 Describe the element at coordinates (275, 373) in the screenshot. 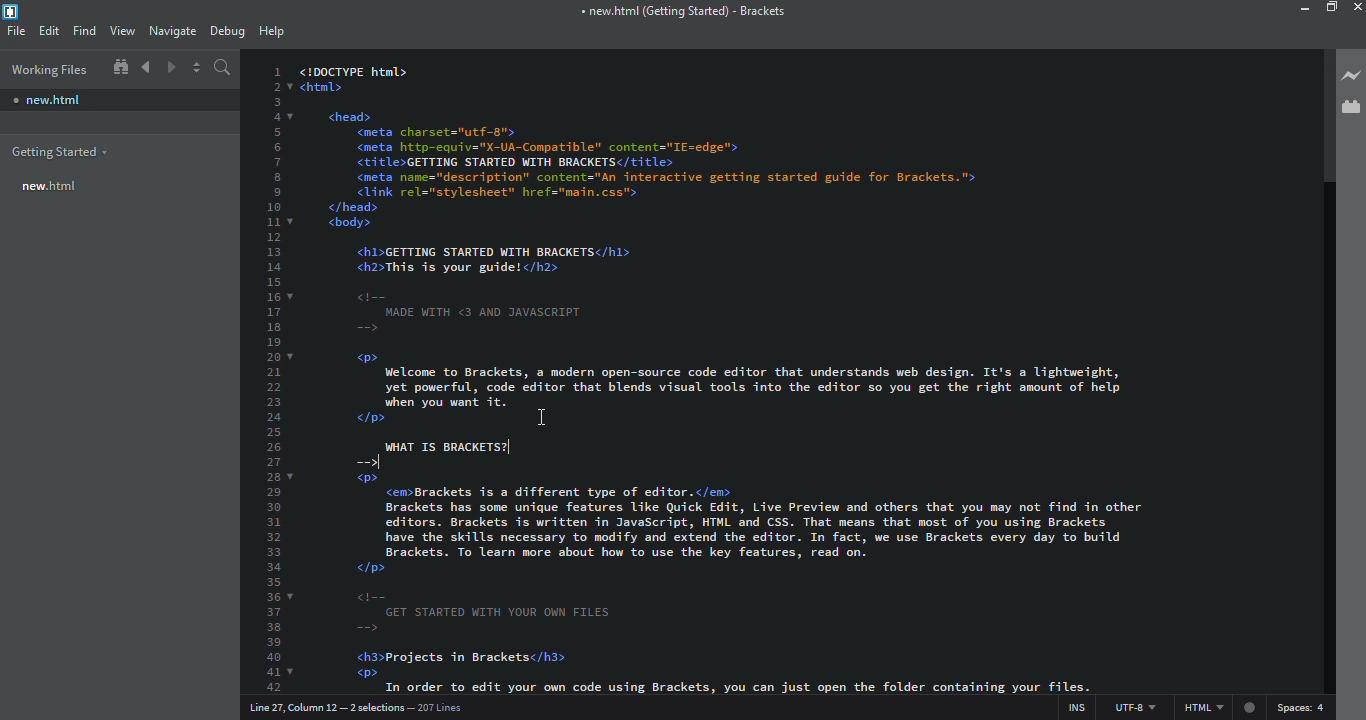

I see `line number` at that location.